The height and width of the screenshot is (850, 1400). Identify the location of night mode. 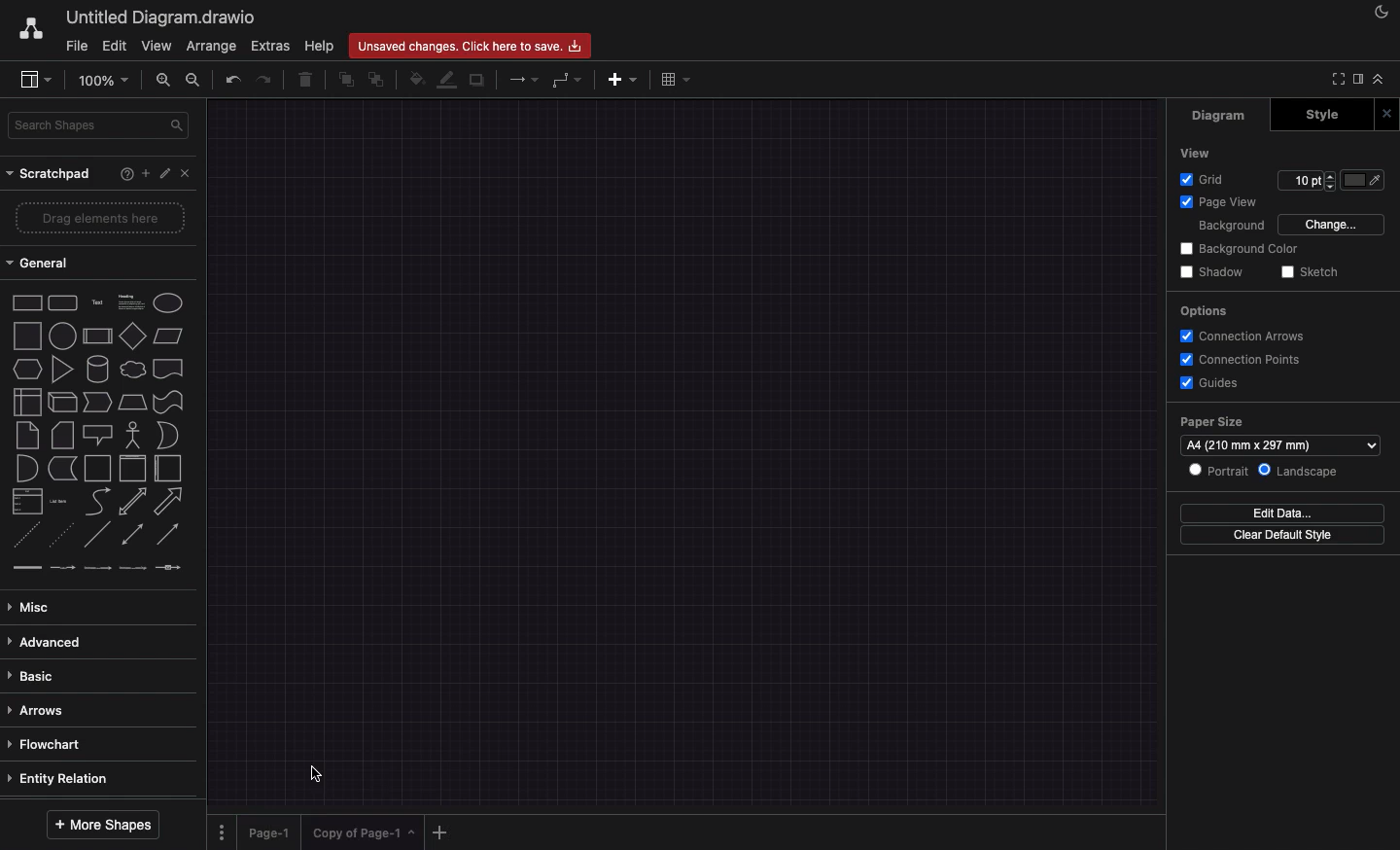
(1381, 12).